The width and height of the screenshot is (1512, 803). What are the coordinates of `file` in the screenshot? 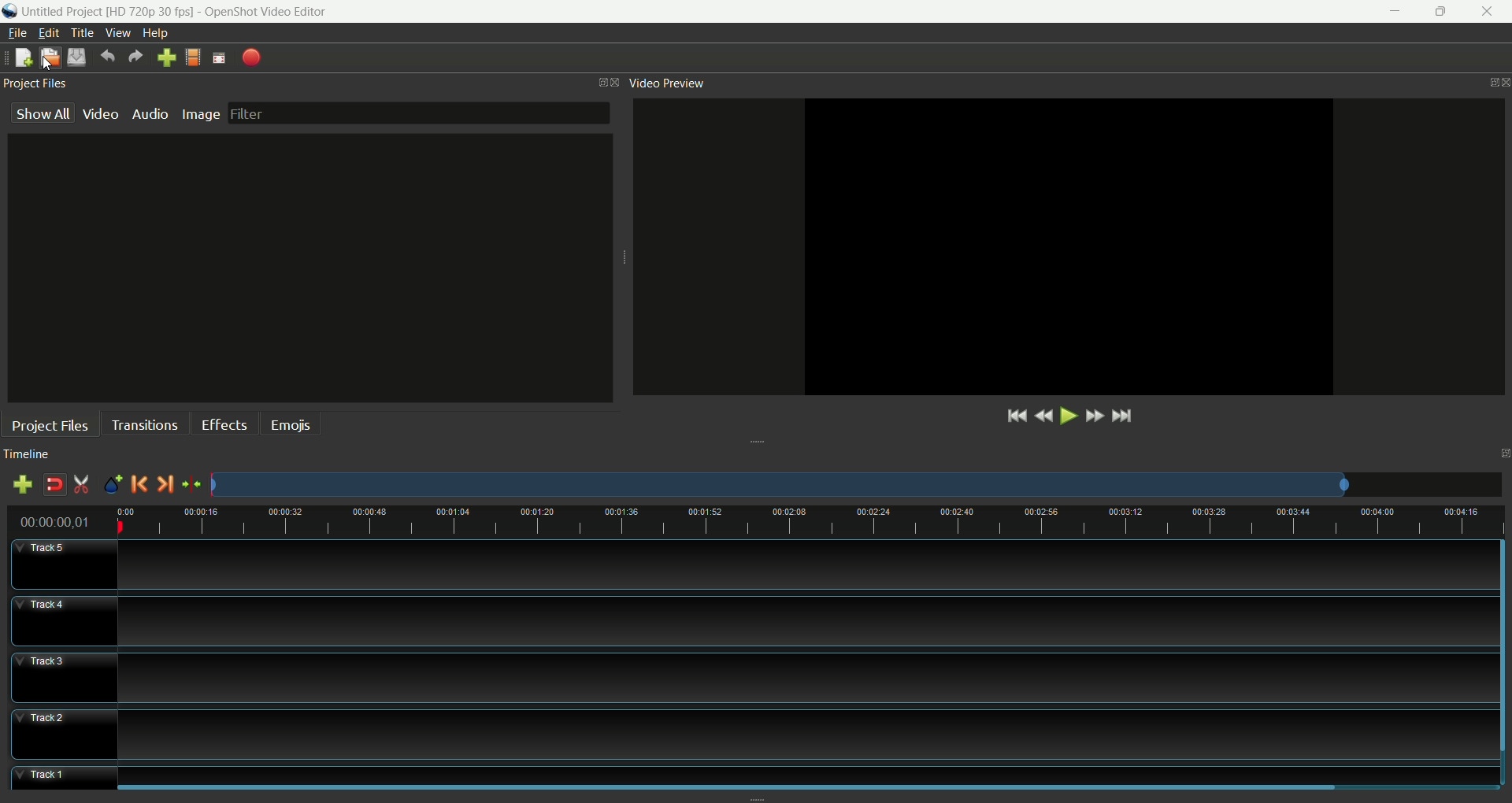 It's located at (19, 32).